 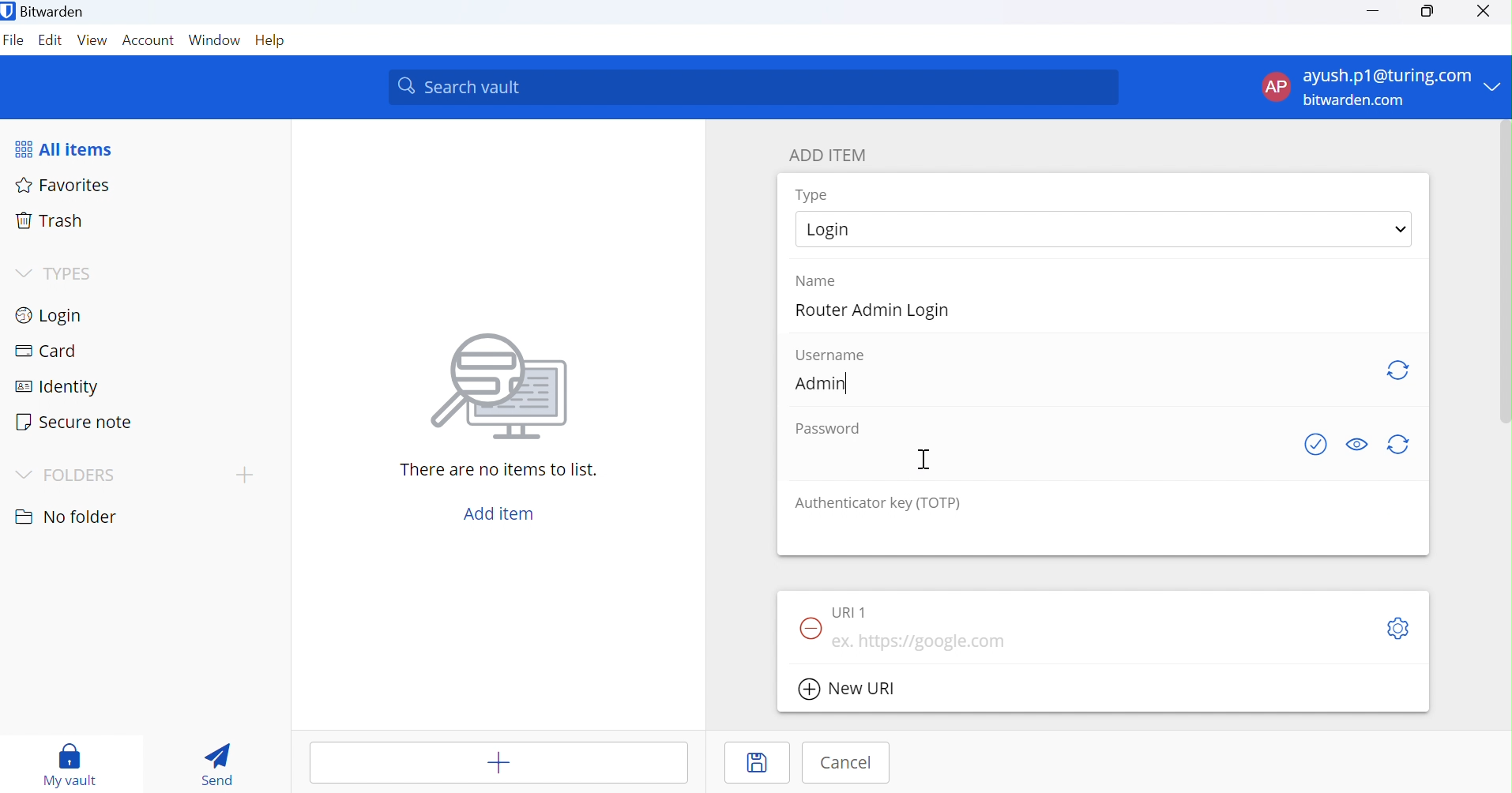 I want to click on Identity, so click(x=65, y=385).